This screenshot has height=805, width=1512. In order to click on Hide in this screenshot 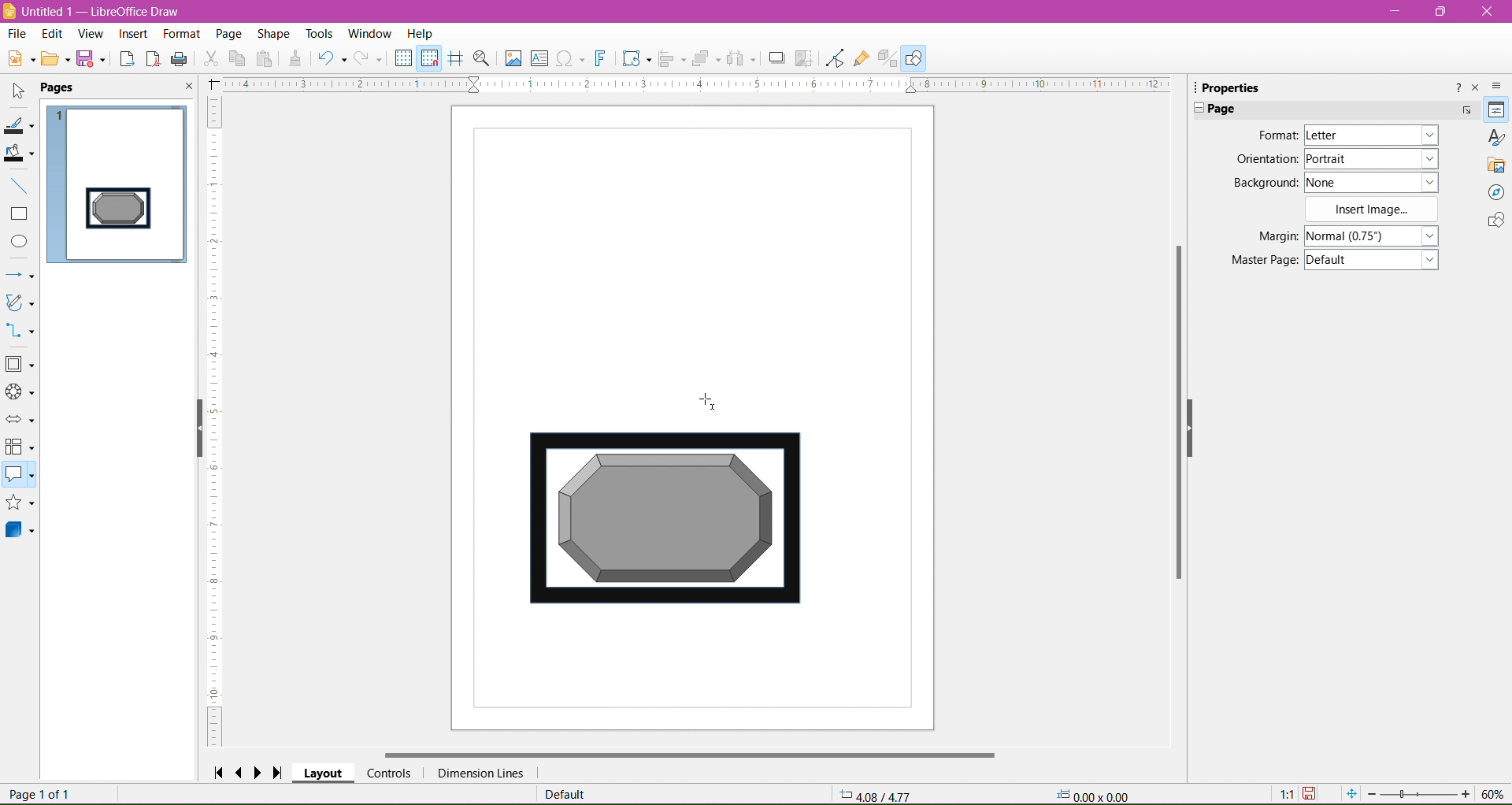, I will do `click(194, 432)`.